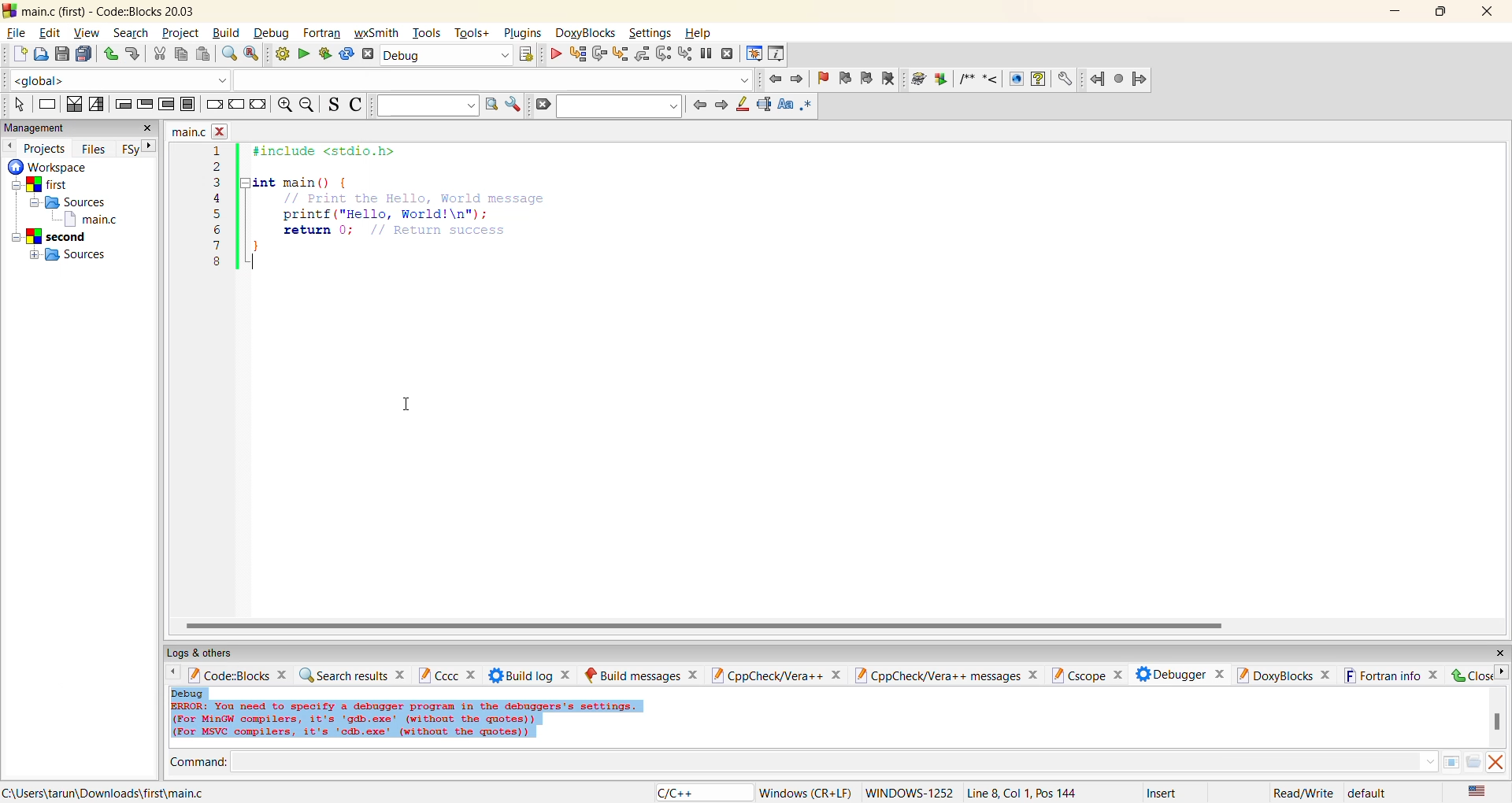 The width and height of the screenshot is (1512, 803). What do you see at coordinates (1017, 79) in the screenshot?
I see `web` at bounding box center [1017, 79].